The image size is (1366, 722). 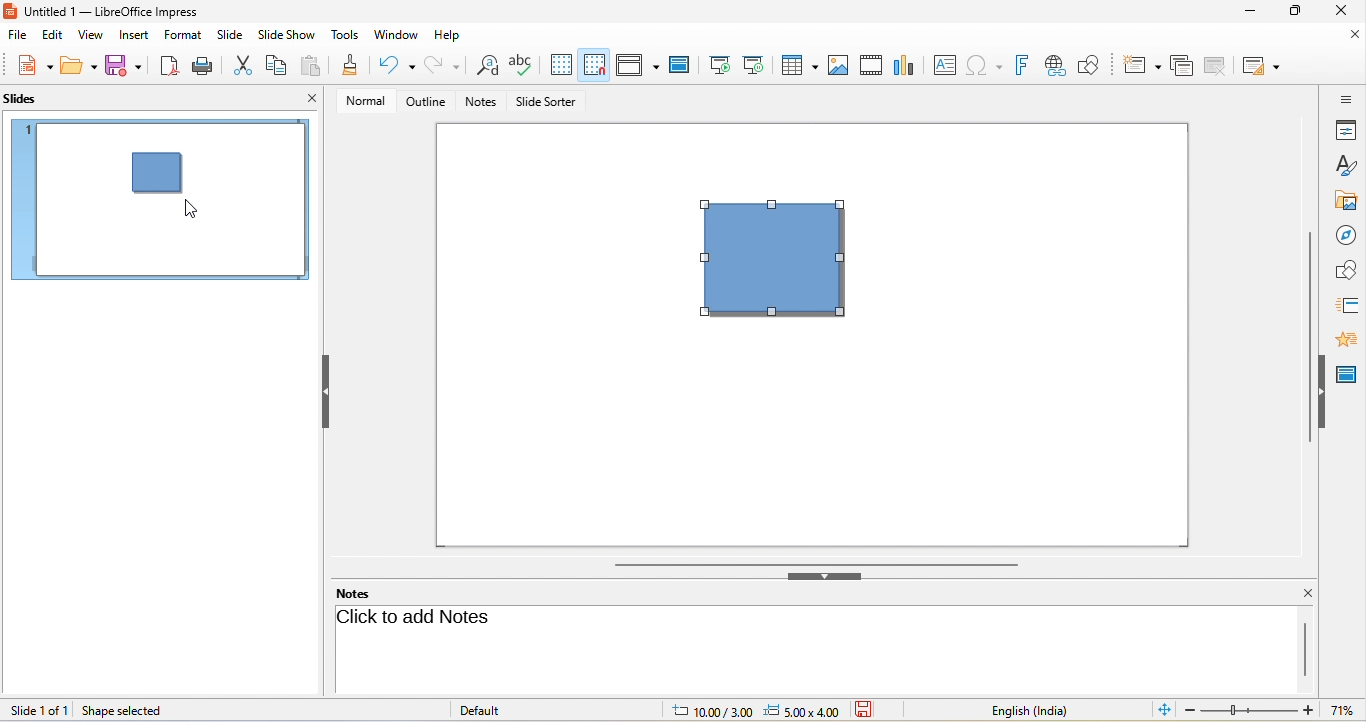 What do you see at coordinates (596, 65) in the screenshot?
I see `snap to grid` at bounding box center [596, 65].